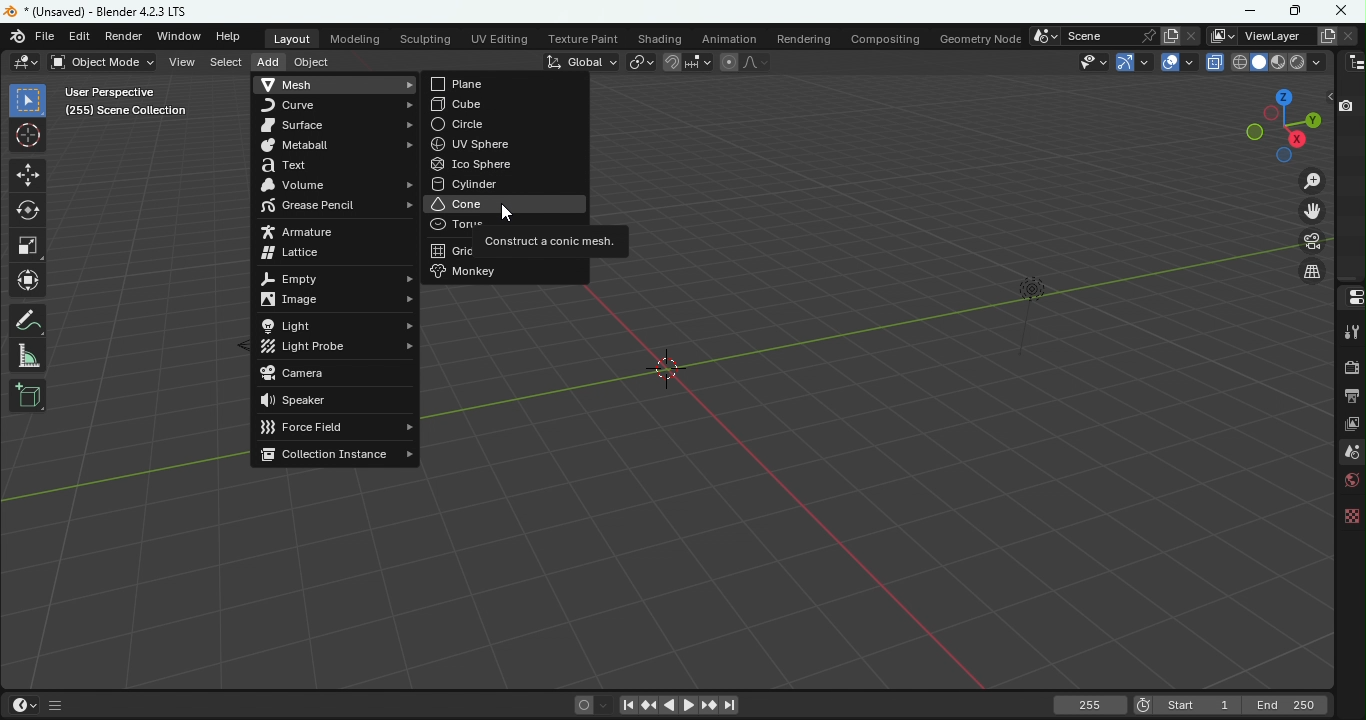 Image resolution: width=1366 pixels, height=720 pixels. What do you see at coordinates (1311, 272) in the screenshot?
I see `Toggle: Enable view navigation within the camera view` at bounding box center [1311, 272].